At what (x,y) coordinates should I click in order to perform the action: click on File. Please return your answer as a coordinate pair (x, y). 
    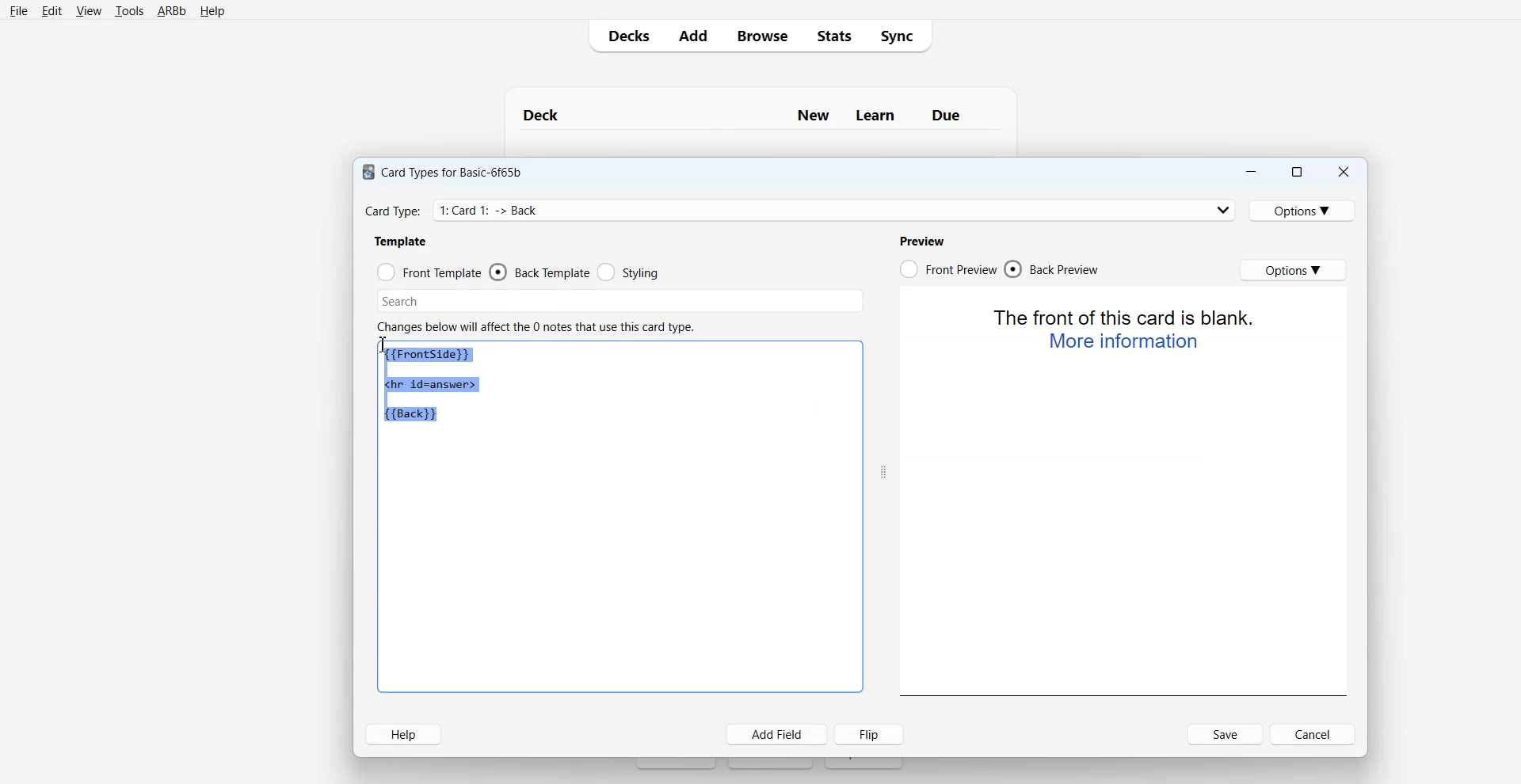
    Looking at the image, I should click on (19, 11).